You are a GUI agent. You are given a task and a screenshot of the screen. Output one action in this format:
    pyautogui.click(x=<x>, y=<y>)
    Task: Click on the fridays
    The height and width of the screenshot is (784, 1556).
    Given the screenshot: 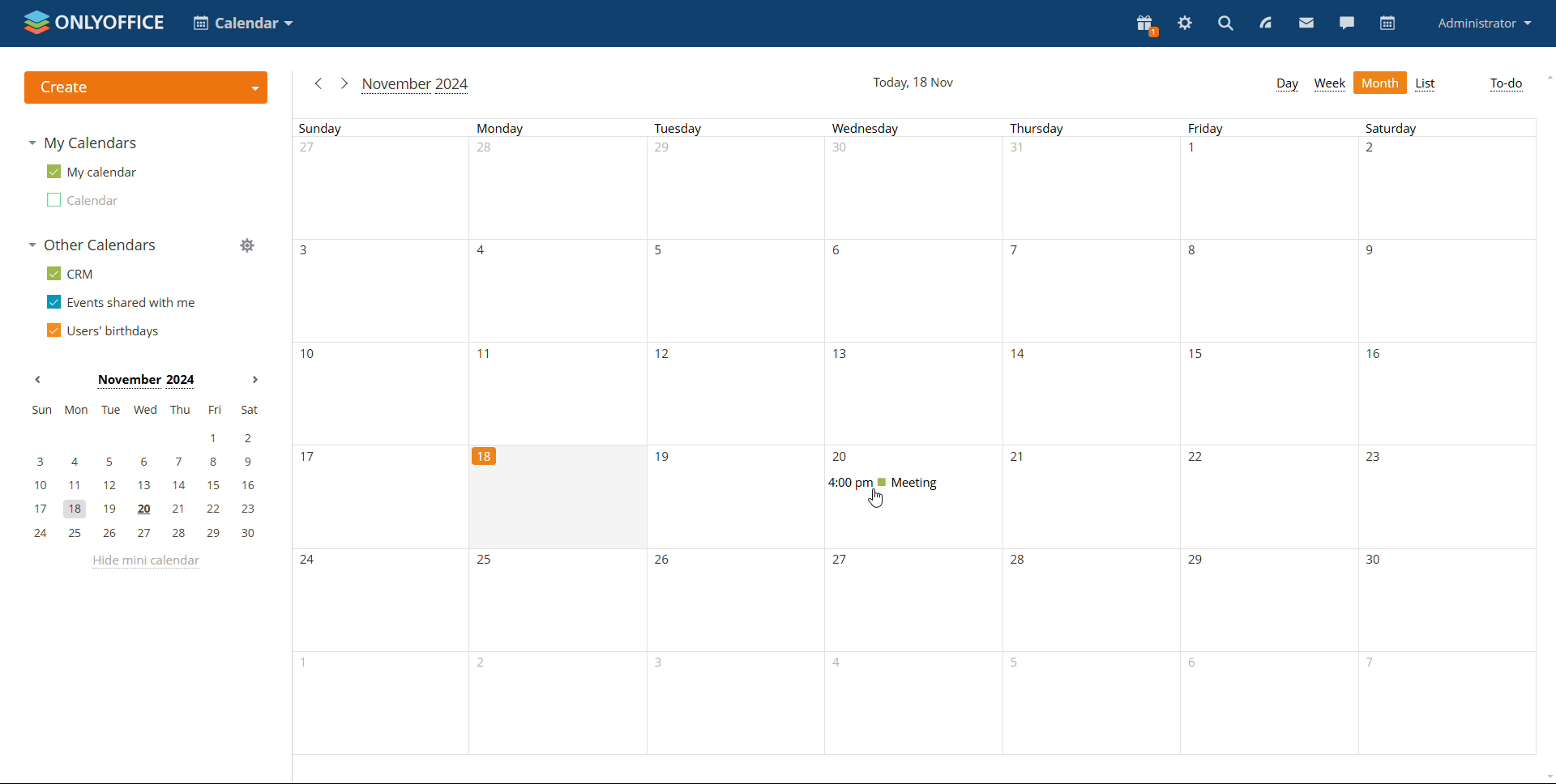 What is the action you would take?
    pyautogui.click(x=1270, y=437)
    